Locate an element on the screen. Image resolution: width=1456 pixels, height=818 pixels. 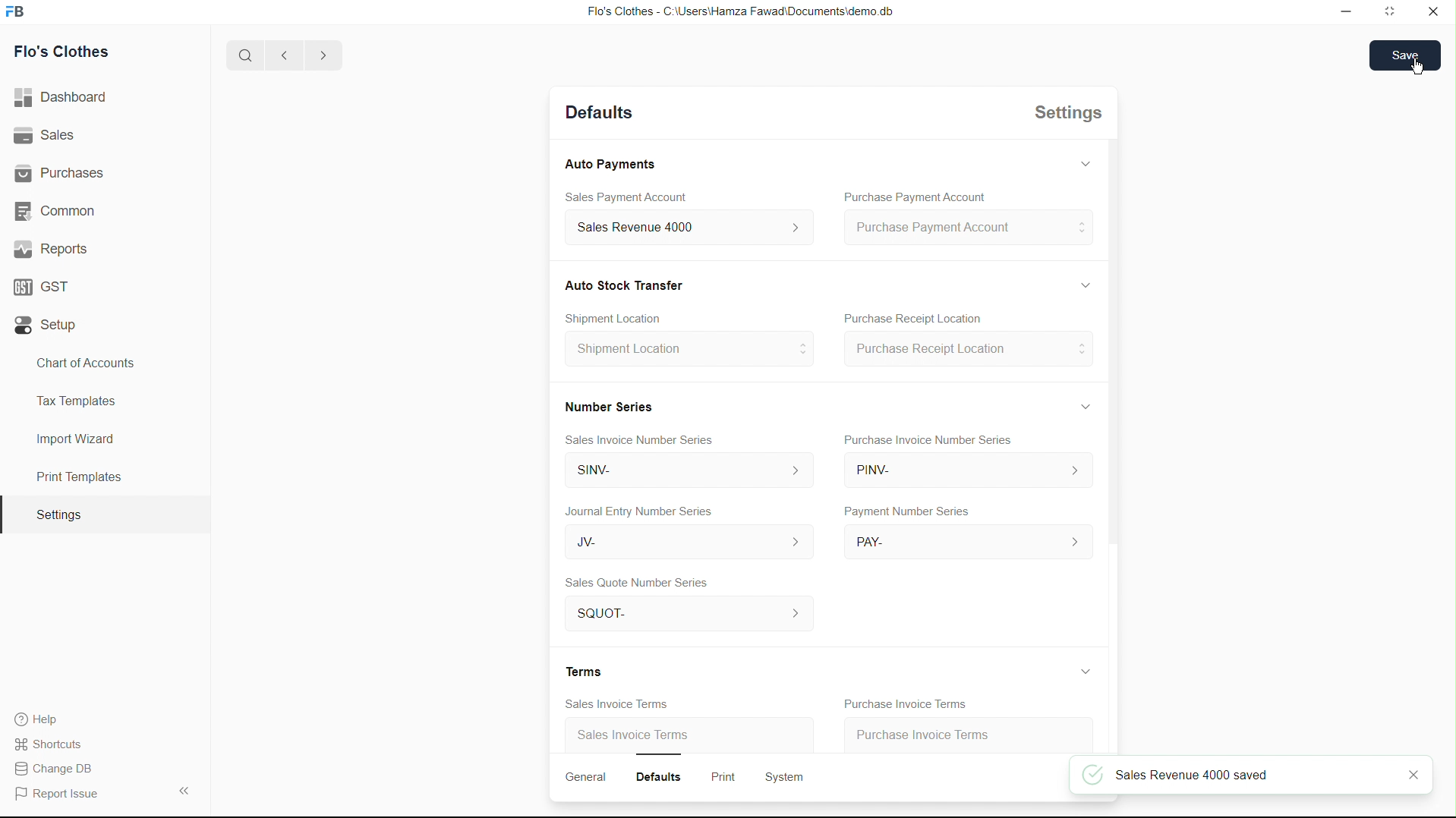
Create is located at coordinates (626, 315).